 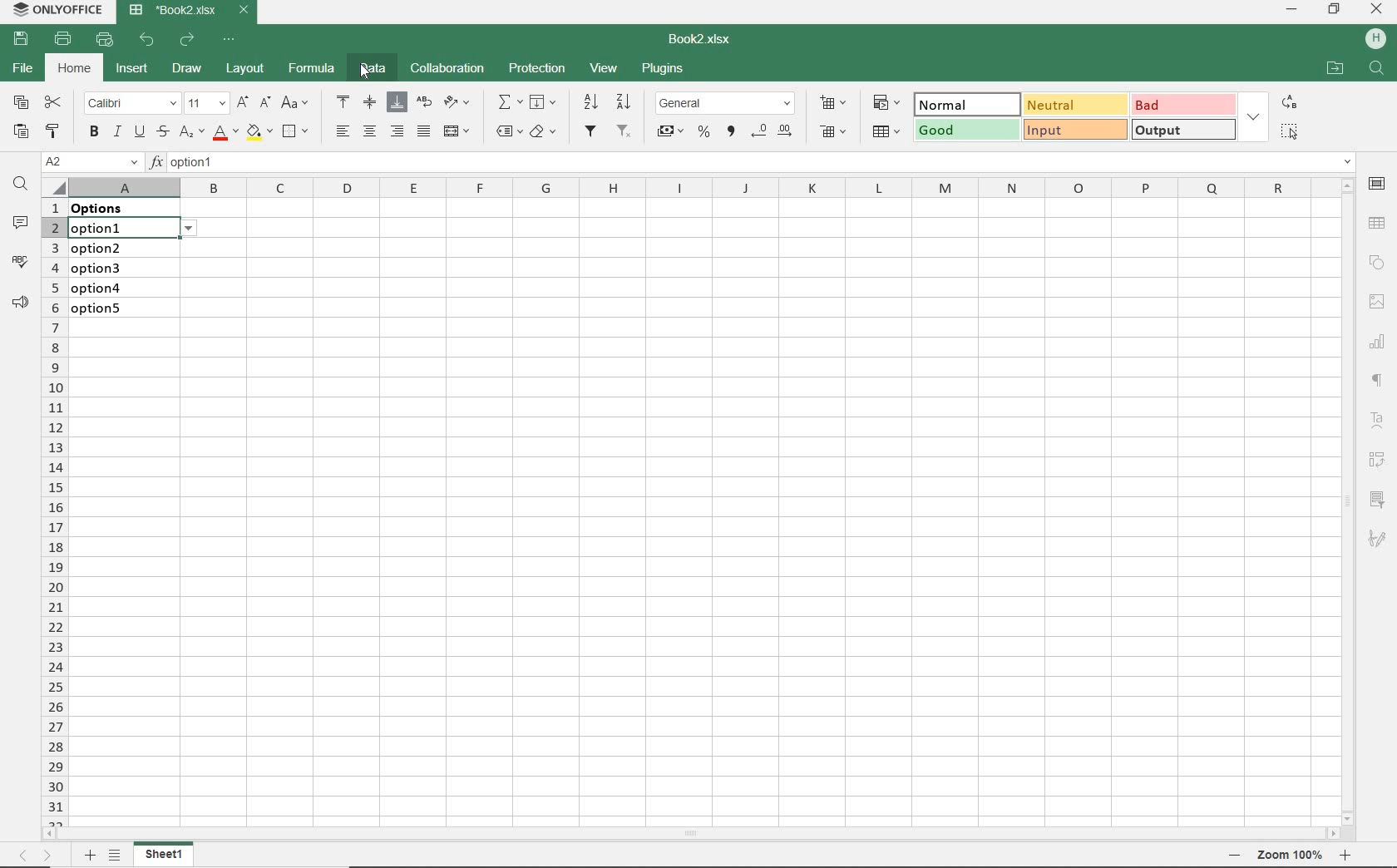 I want to click on MINIMIZE, so click(x=1291, y=9).